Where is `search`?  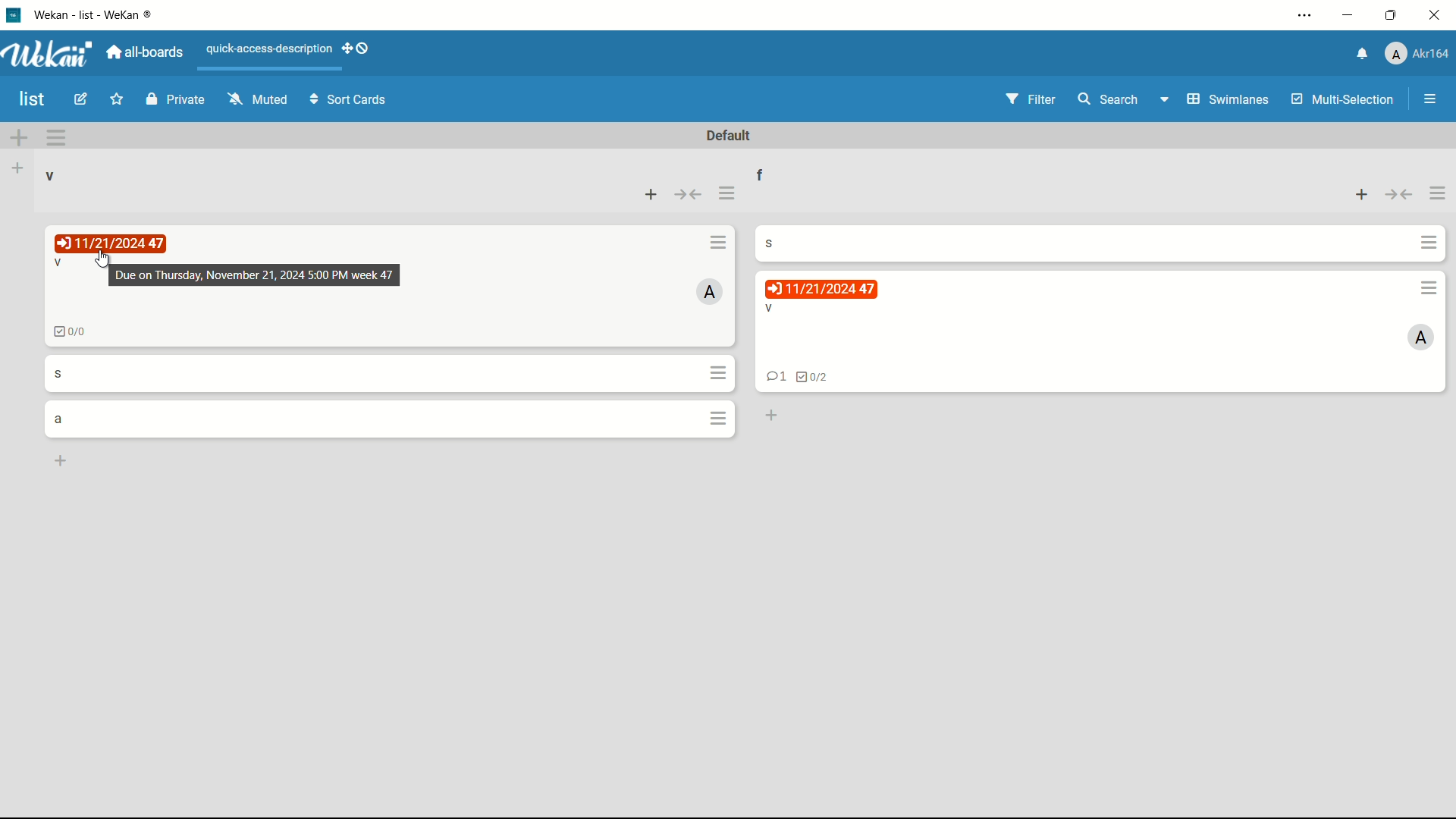
search is located at coordinates (1109, 101).